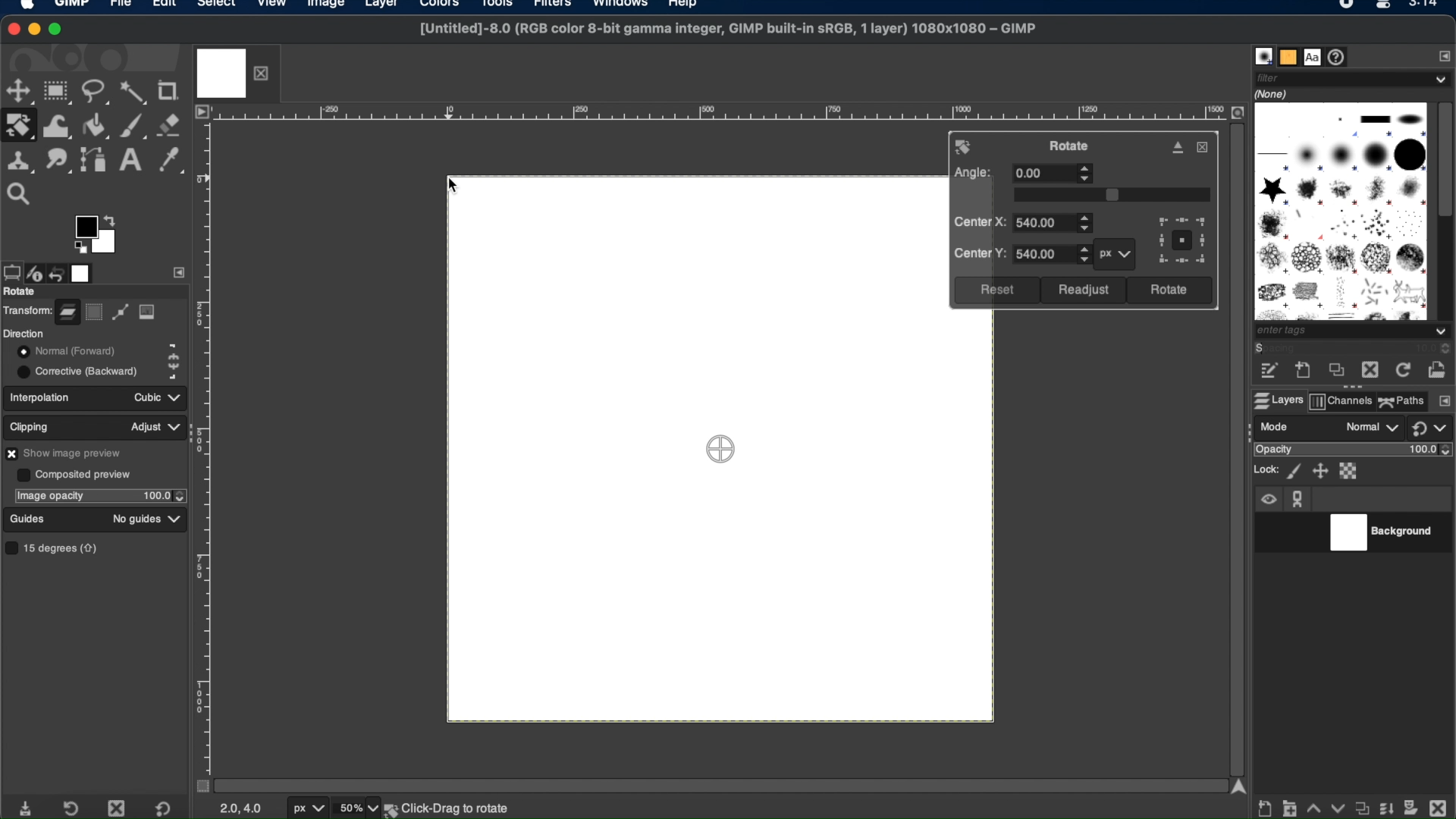 Image resolution: width=1456 pixels, height=819 pixels. Describe the element at coordinates (1266, 809) in the screenshot. I see `create new layer` at that location.